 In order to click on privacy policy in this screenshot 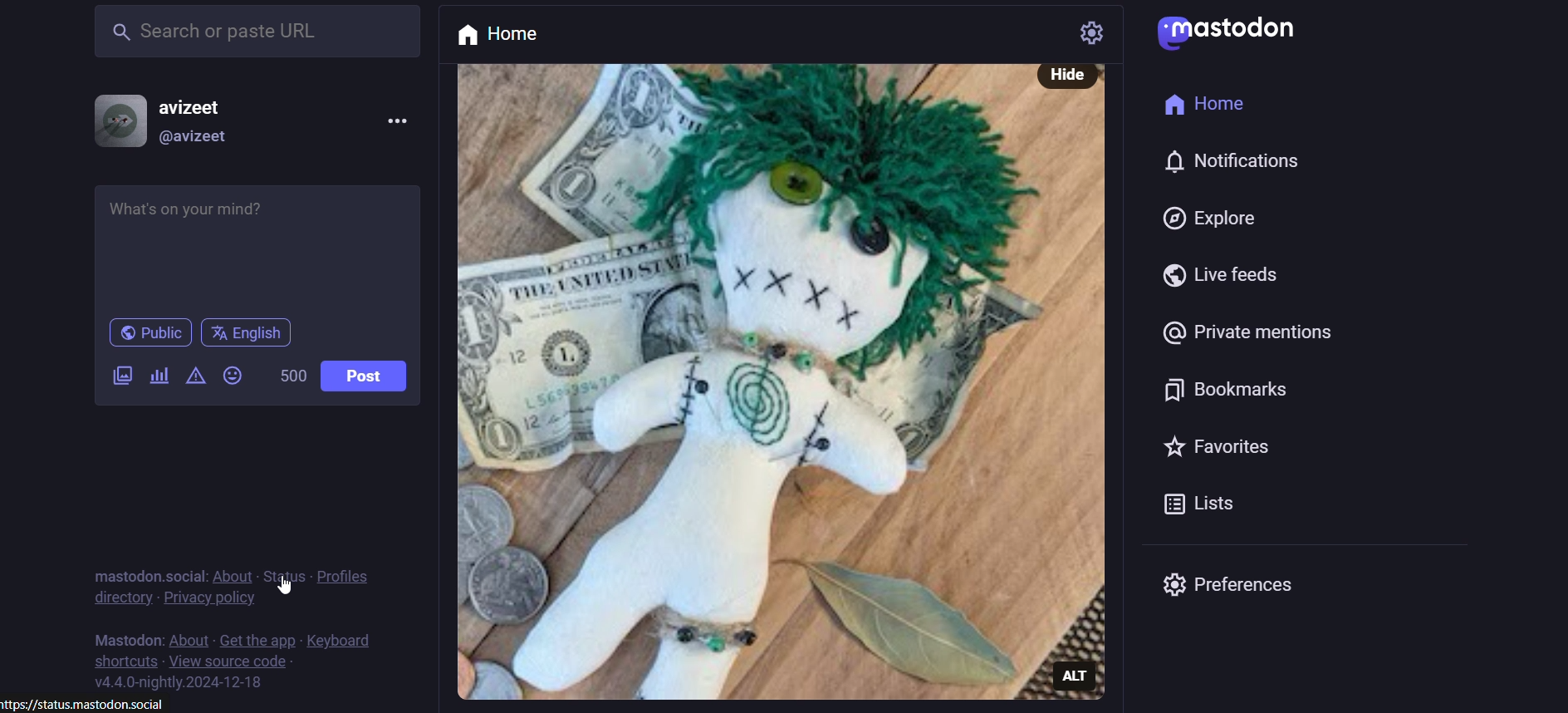, I will do `click(218, 599)`.